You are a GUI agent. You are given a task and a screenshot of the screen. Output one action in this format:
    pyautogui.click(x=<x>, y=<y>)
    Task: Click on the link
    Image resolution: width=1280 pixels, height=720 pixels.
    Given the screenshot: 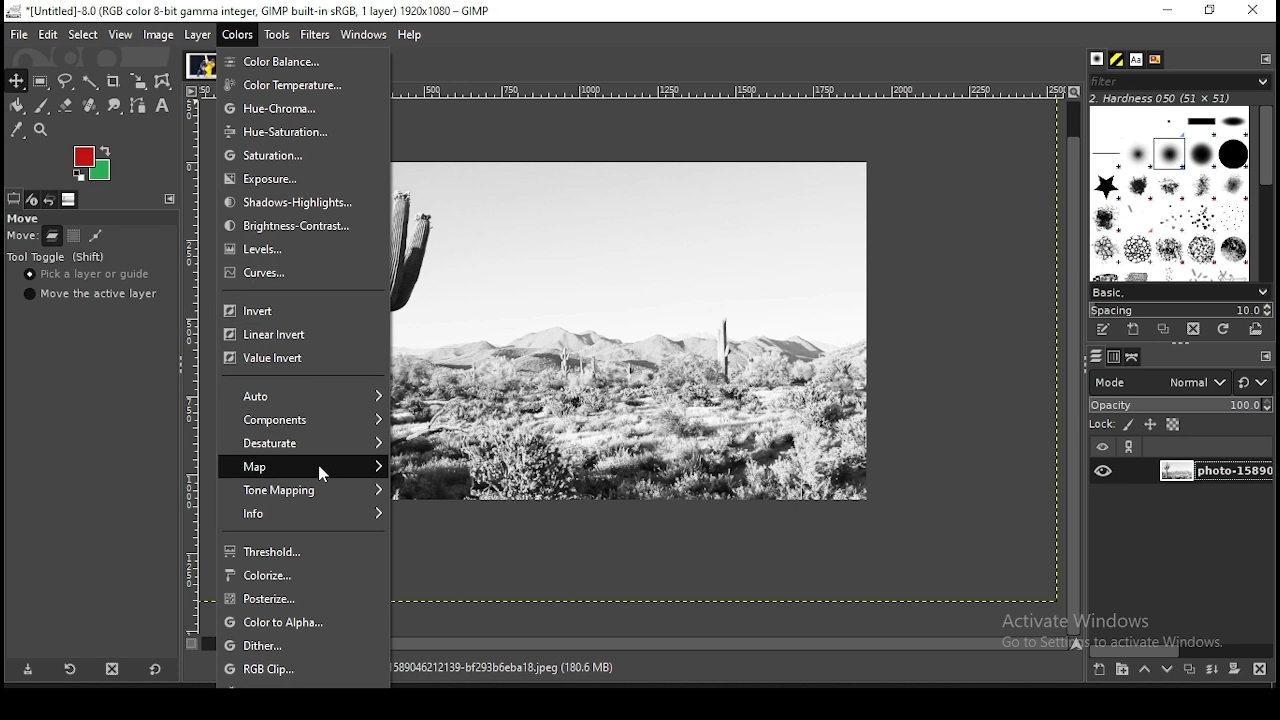 What is the action you would take?
    pyautogui.click(x=1131, y=447)
    